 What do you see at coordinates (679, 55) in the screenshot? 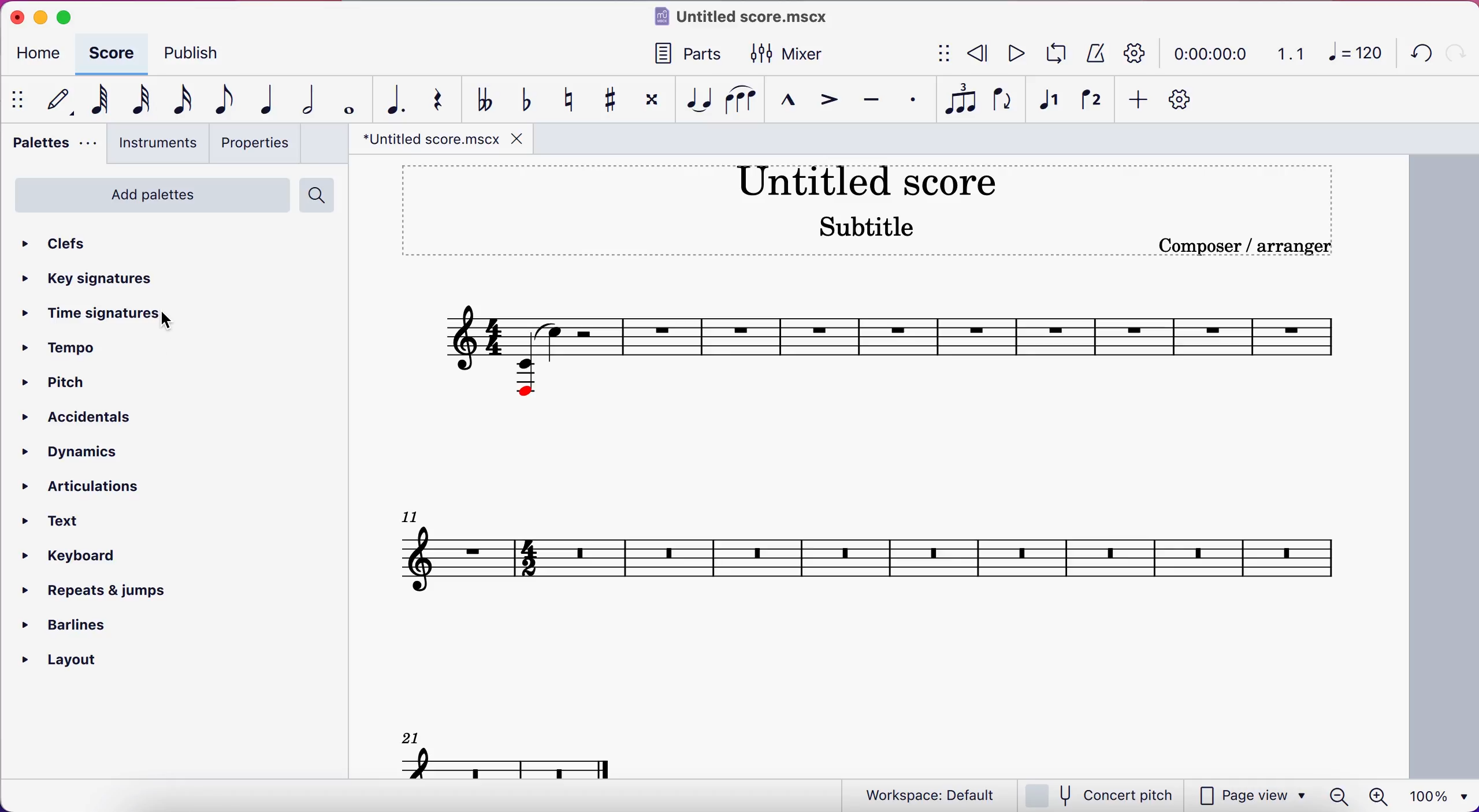
I see `parts` at bounding box center [679, 55].